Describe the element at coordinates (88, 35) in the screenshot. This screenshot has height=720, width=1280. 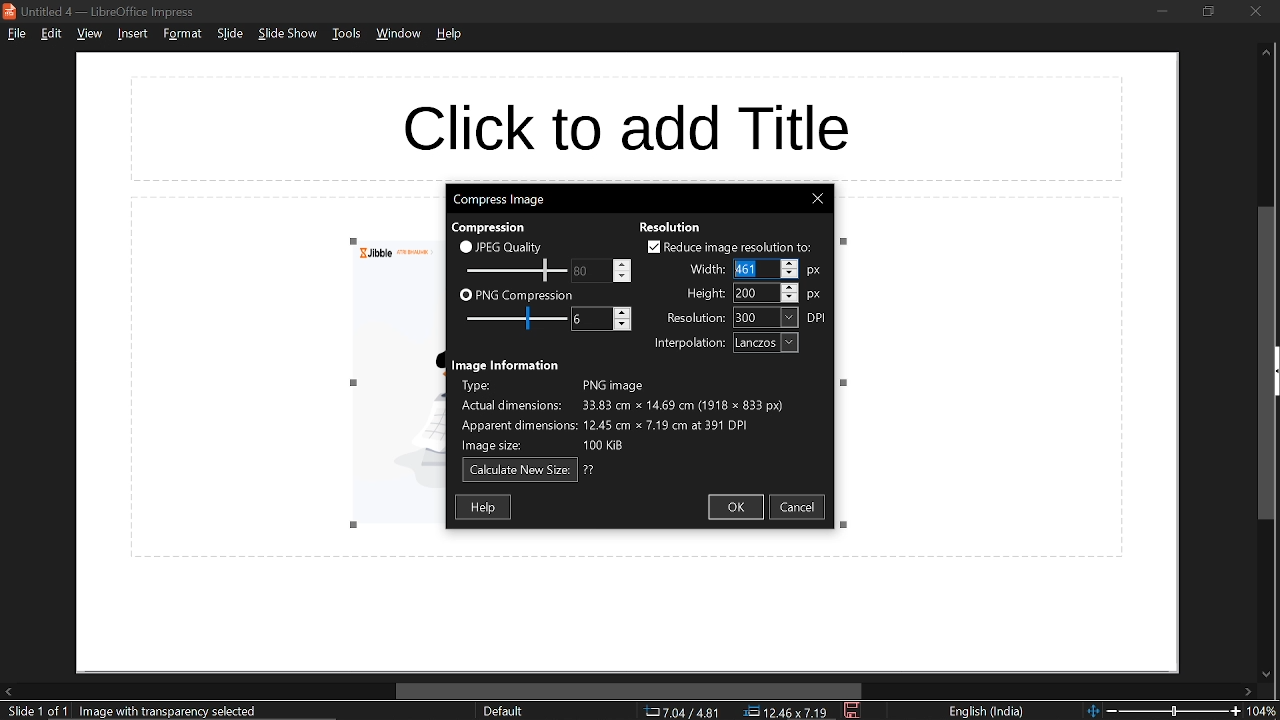
I see `view` at that location.